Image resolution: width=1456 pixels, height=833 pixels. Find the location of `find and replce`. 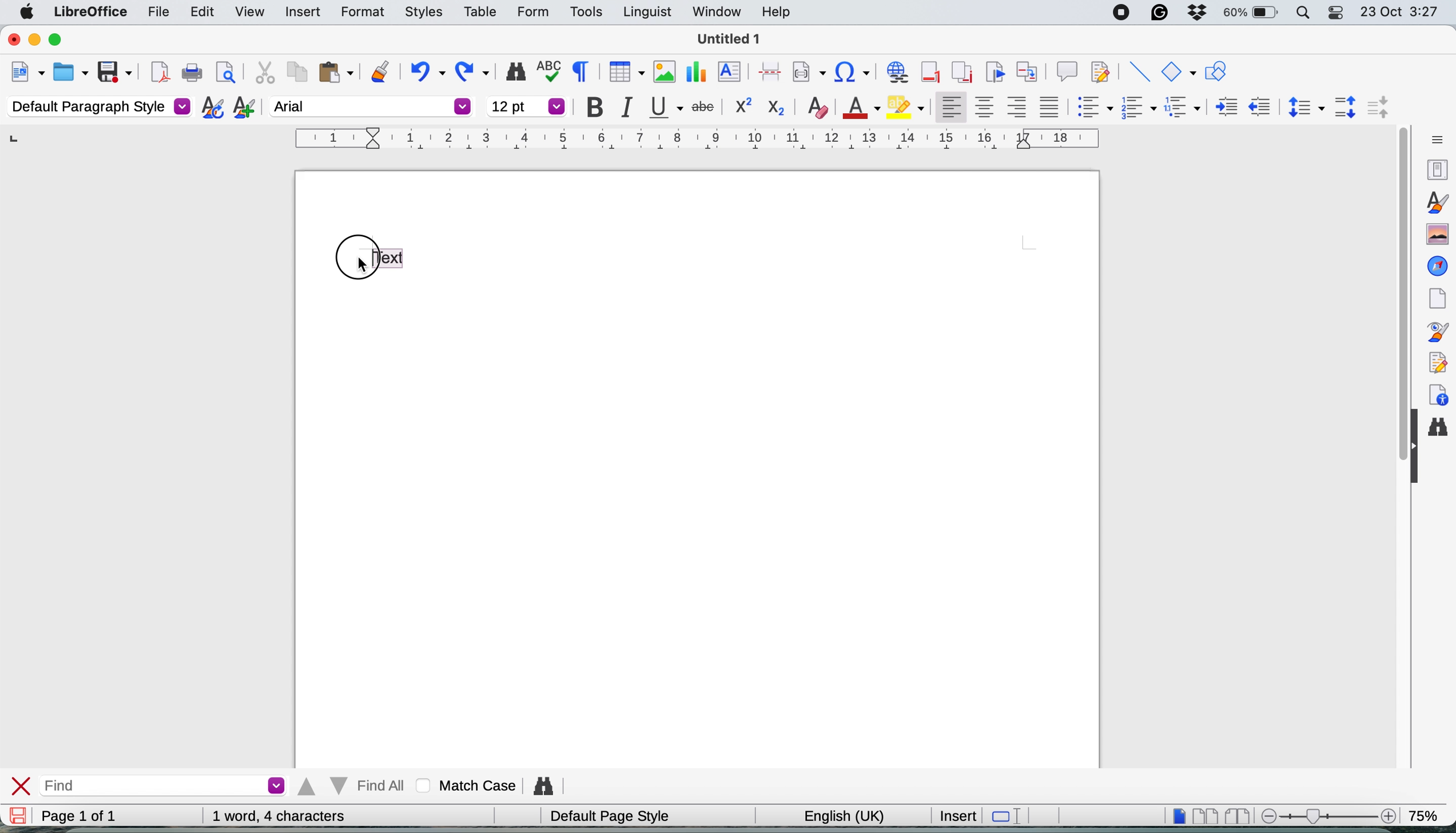

find and replce is located at coordinates (541, 786).